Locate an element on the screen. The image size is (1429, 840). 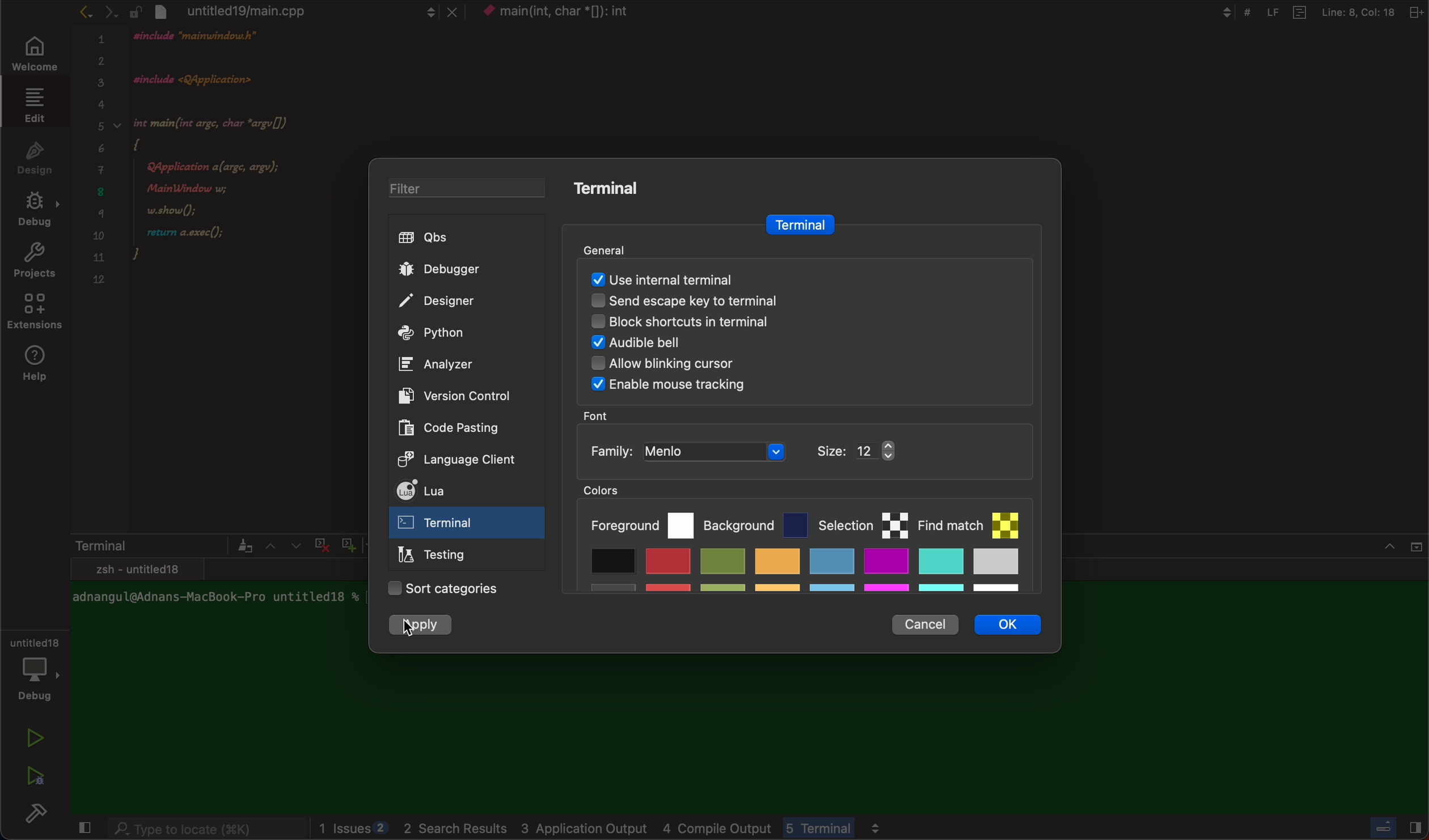
enable tracking is located at coordinates (789, 387).